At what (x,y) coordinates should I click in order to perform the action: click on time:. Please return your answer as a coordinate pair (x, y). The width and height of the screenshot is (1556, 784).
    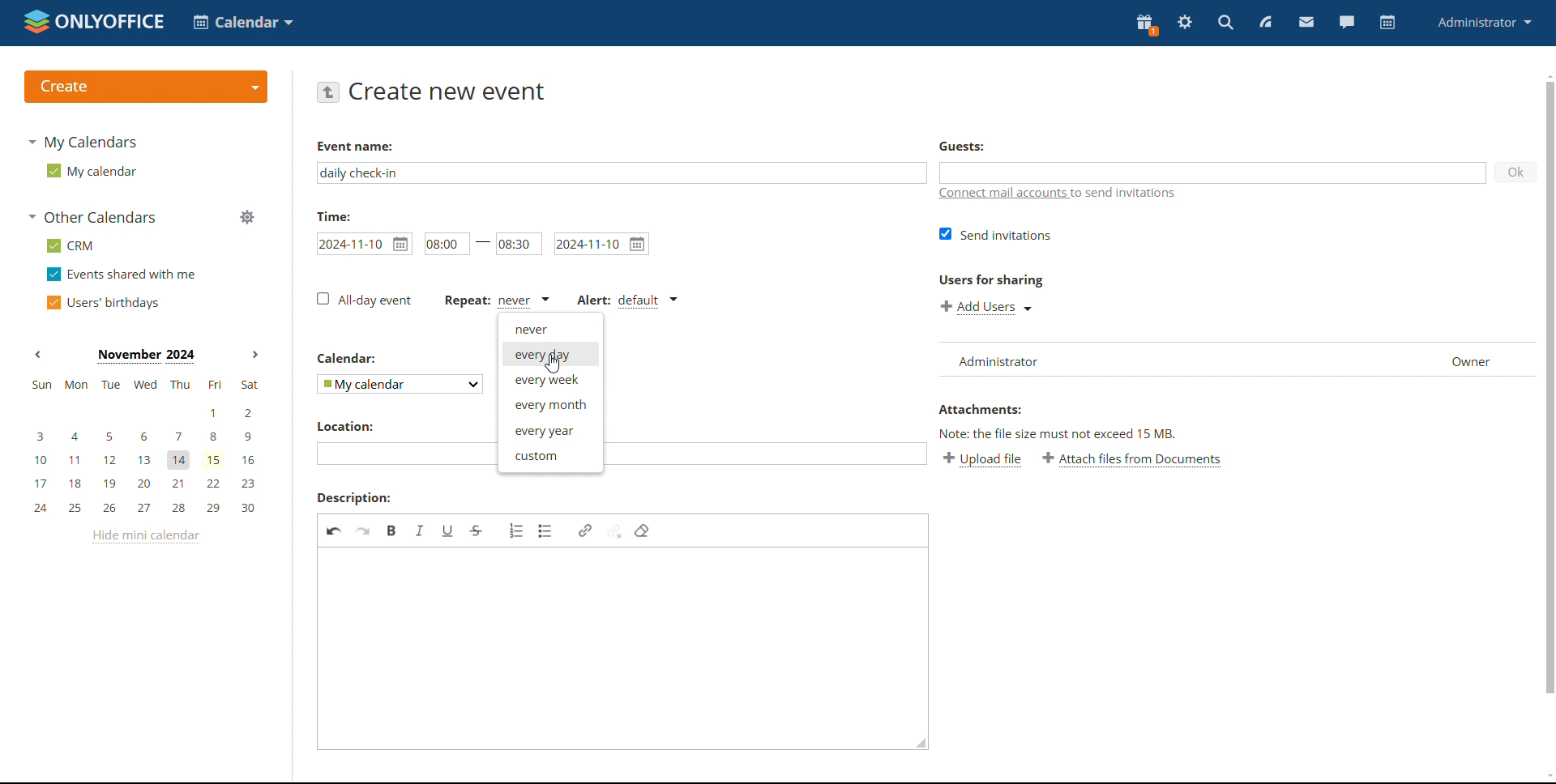
    Looking at the image, I should click on (340, 216).